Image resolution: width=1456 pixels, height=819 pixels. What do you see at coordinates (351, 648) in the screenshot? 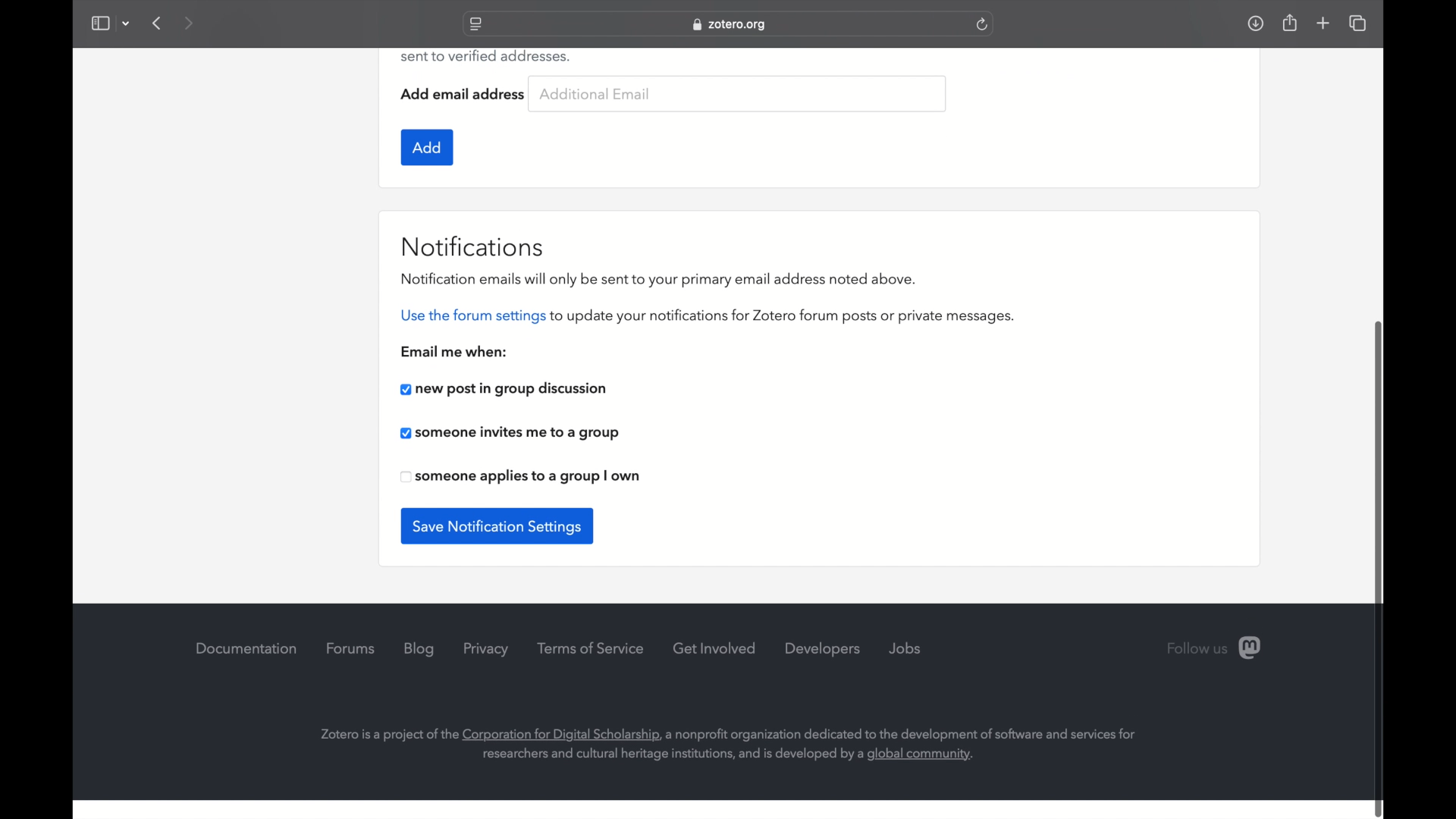
I see `forums` at bounding box center [351, 648].